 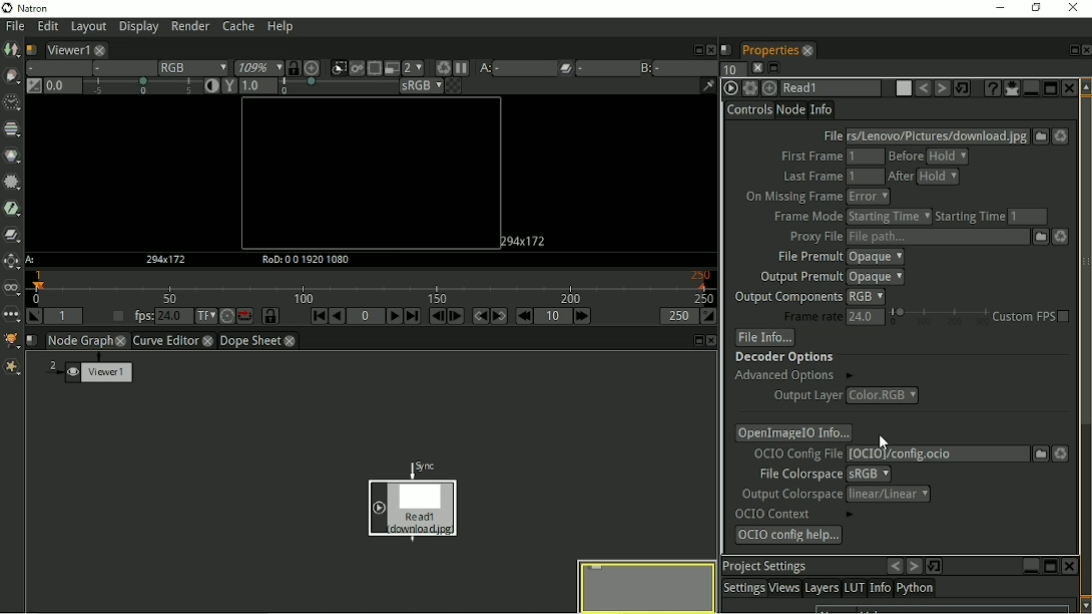 What do you see at coordinates (817, 195) in the screenshot?
I see `On missing frame` at bounding box center [817, 195].